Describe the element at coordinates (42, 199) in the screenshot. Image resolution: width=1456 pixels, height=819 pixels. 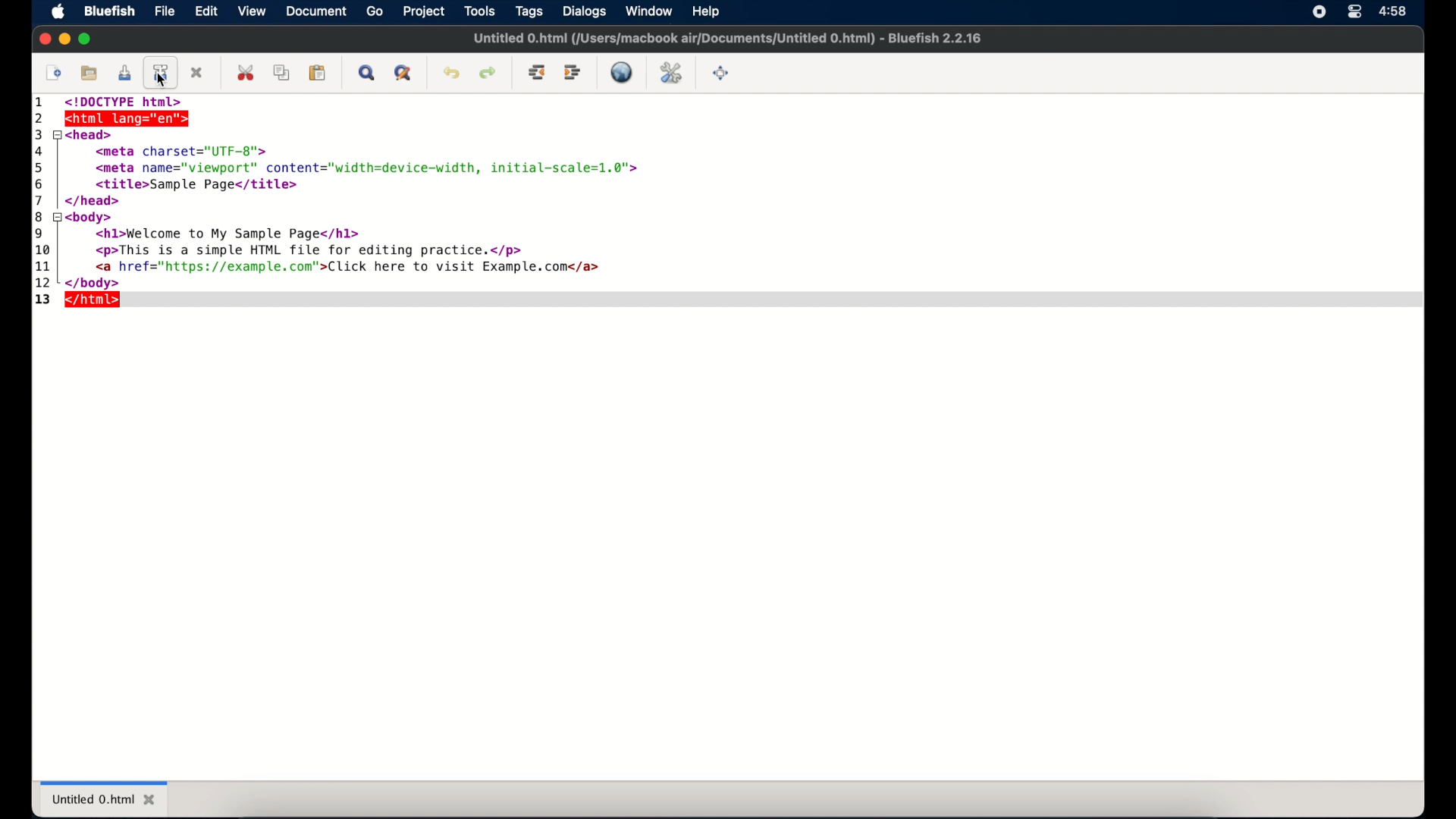
I see `7` at that location.